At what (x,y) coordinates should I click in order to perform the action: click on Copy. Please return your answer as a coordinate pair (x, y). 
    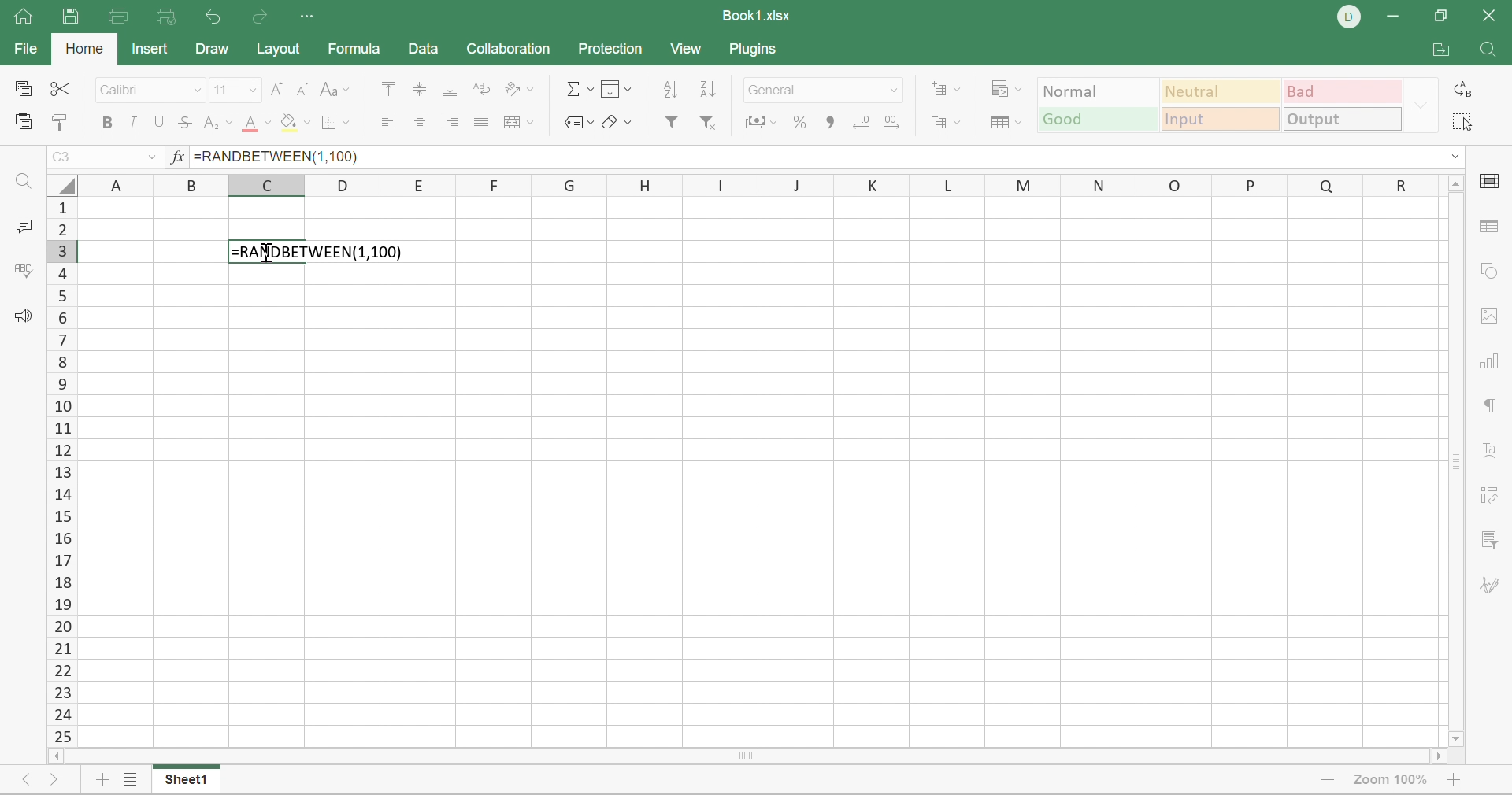
    Looking at the image, I should click on (21, 87).